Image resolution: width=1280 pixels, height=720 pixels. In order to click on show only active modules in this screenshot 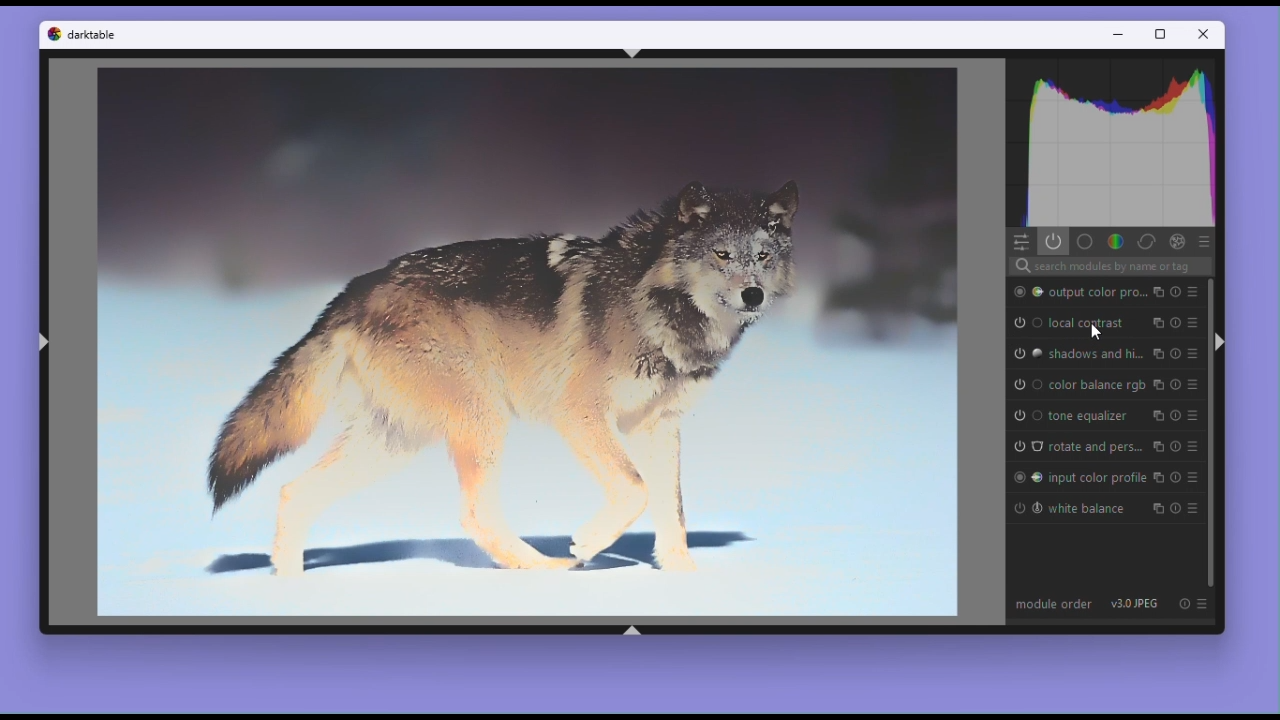, I will do `click(1056, 241)`.